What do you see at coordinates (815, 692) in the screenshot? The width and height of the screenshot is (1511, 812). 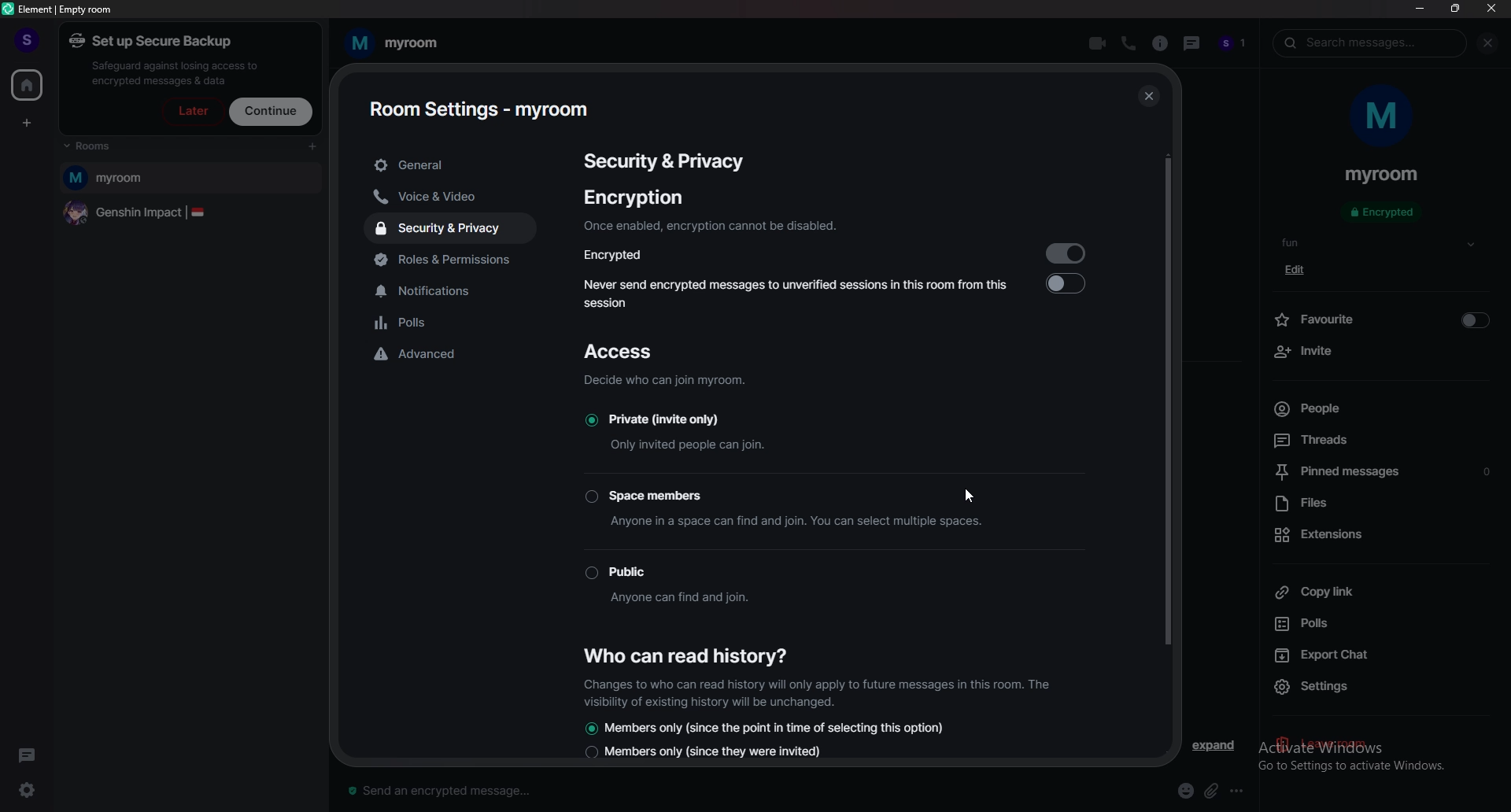 I see `Changes to who can read history will only apply to future messages in this room. The visibility of existing history will be unchanged.` at bounding box center [815, 692].